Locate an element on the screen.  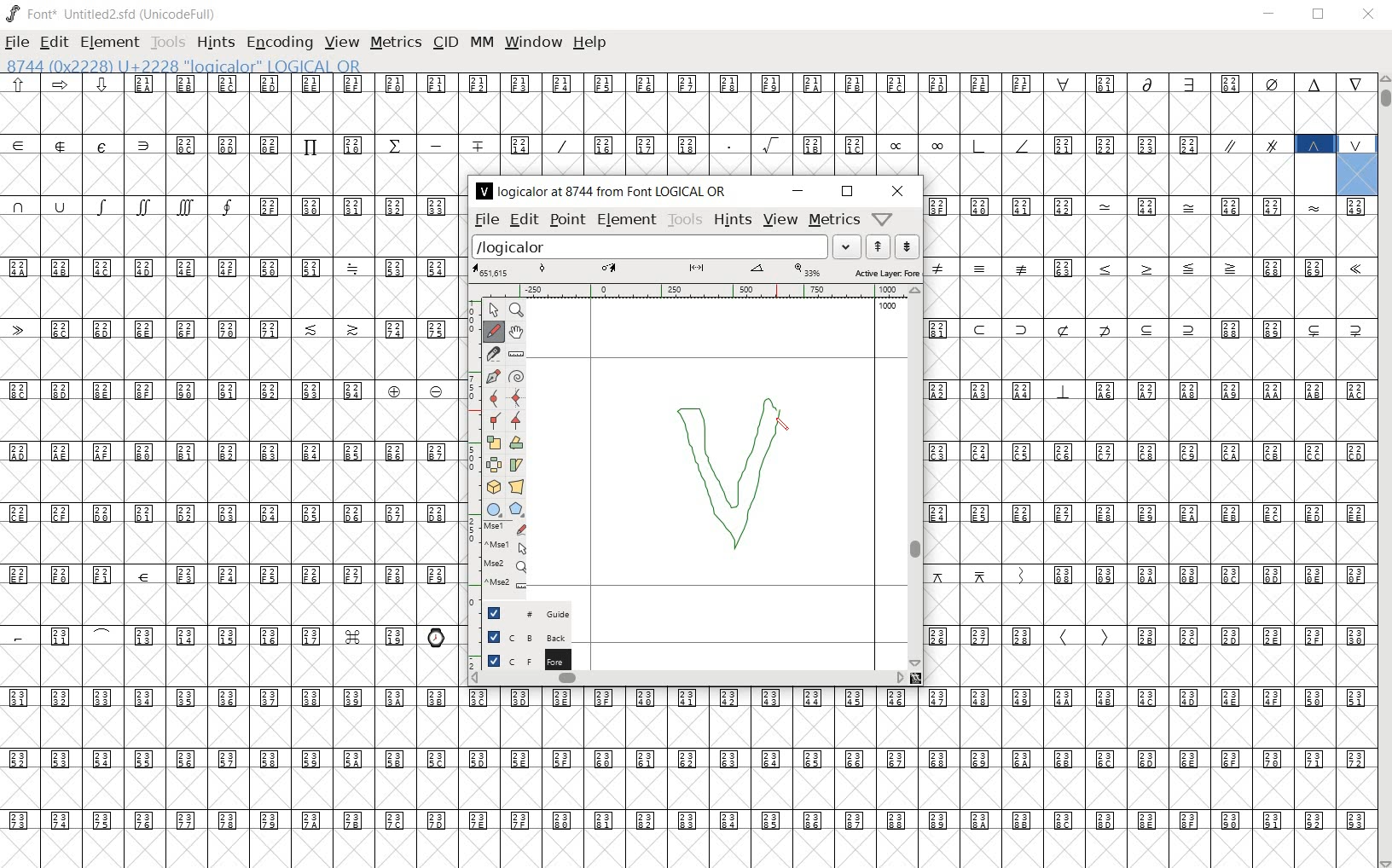
MAGNIFY is located at coordinates (518, 310).